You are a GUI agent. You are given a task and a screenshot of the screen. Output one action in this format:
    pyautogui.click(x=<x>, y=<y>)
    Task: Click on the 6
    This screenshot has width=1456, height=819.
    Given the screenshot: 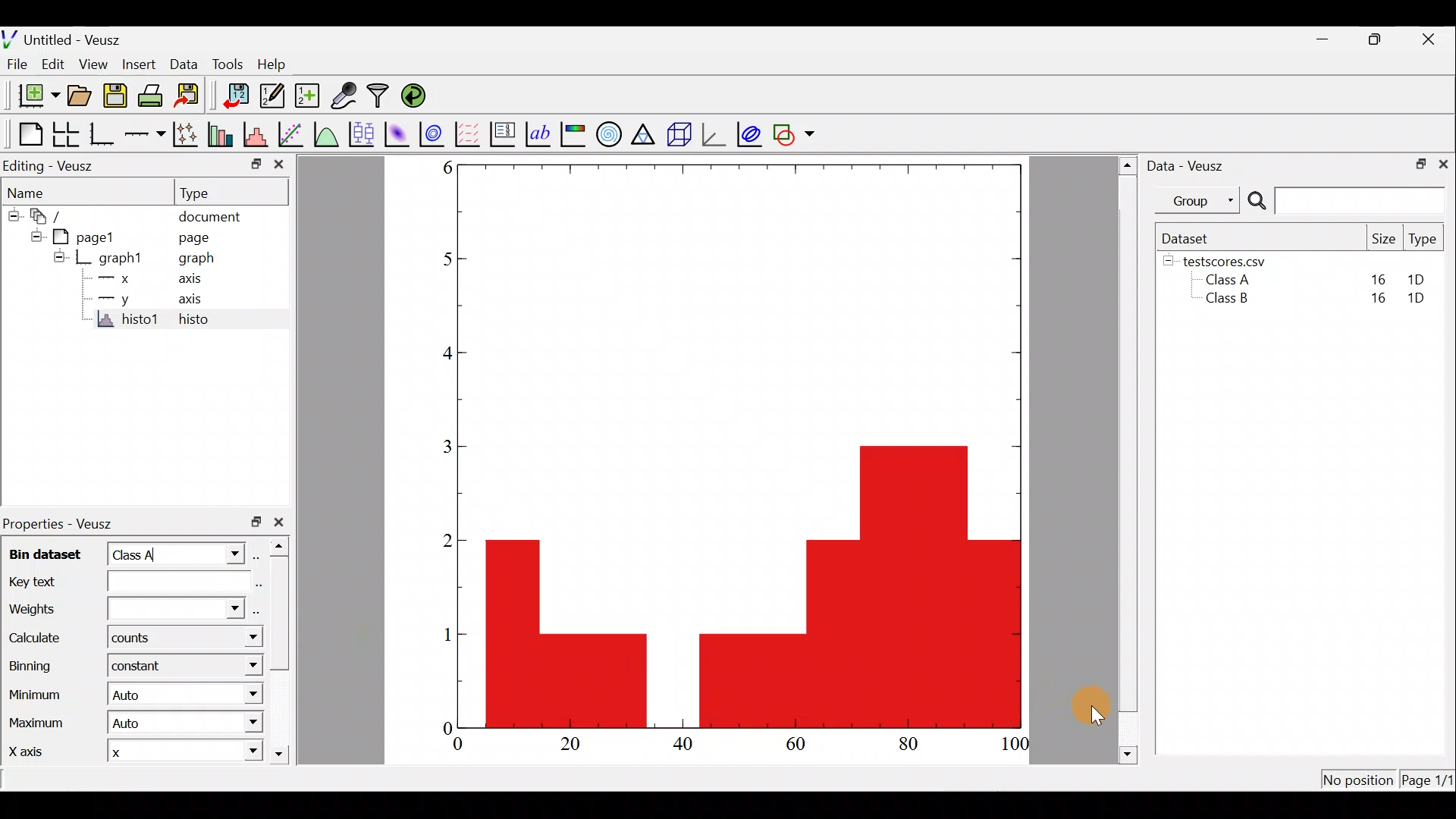 What is the action you would take?
    pyautogui.click(x=441, y=170)
    